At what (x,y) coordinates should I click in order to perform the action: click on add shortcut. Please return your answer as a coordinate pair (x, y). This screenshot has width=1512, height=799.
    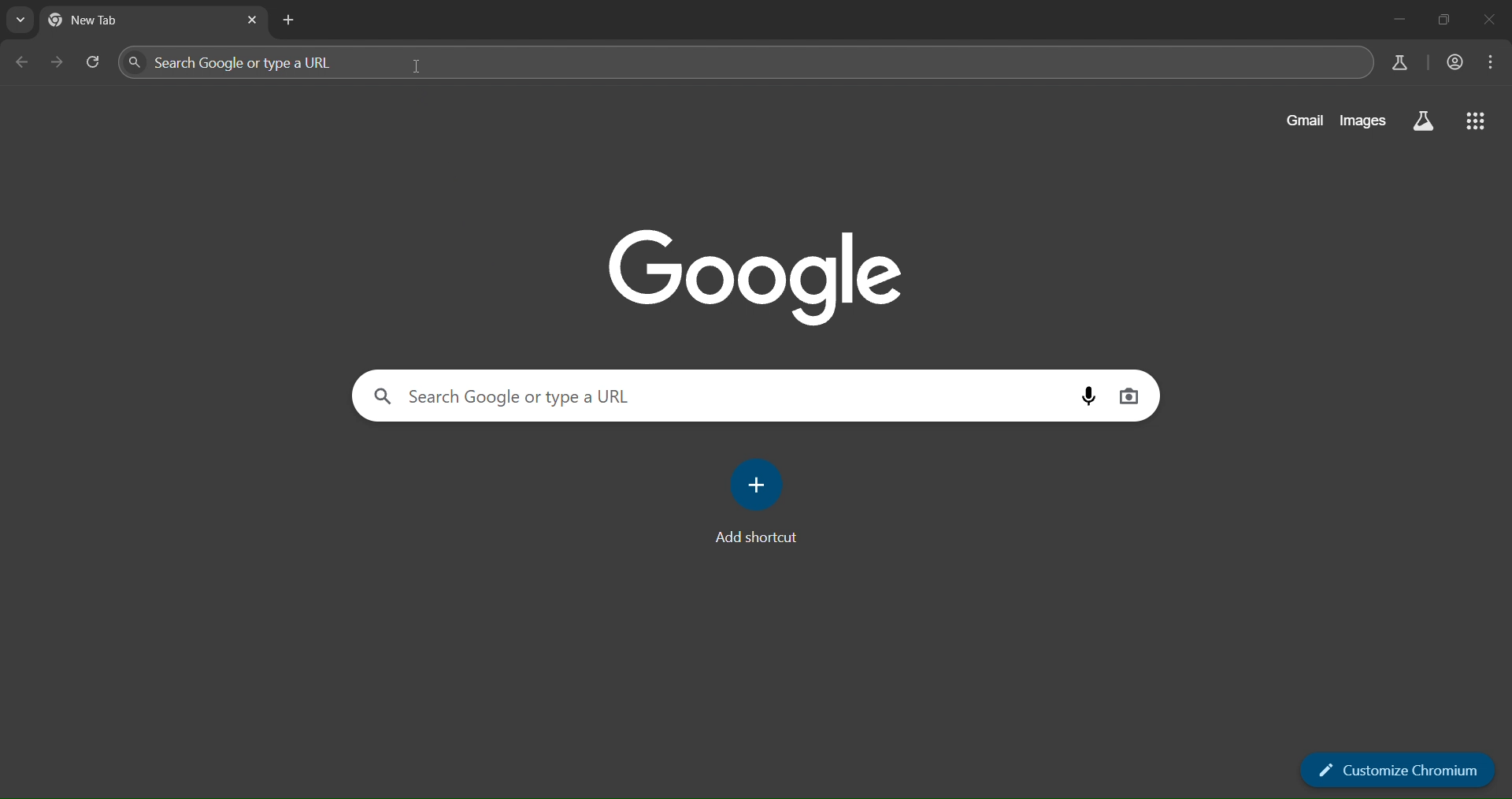
    Looking at the image, I should click on (762, 504).